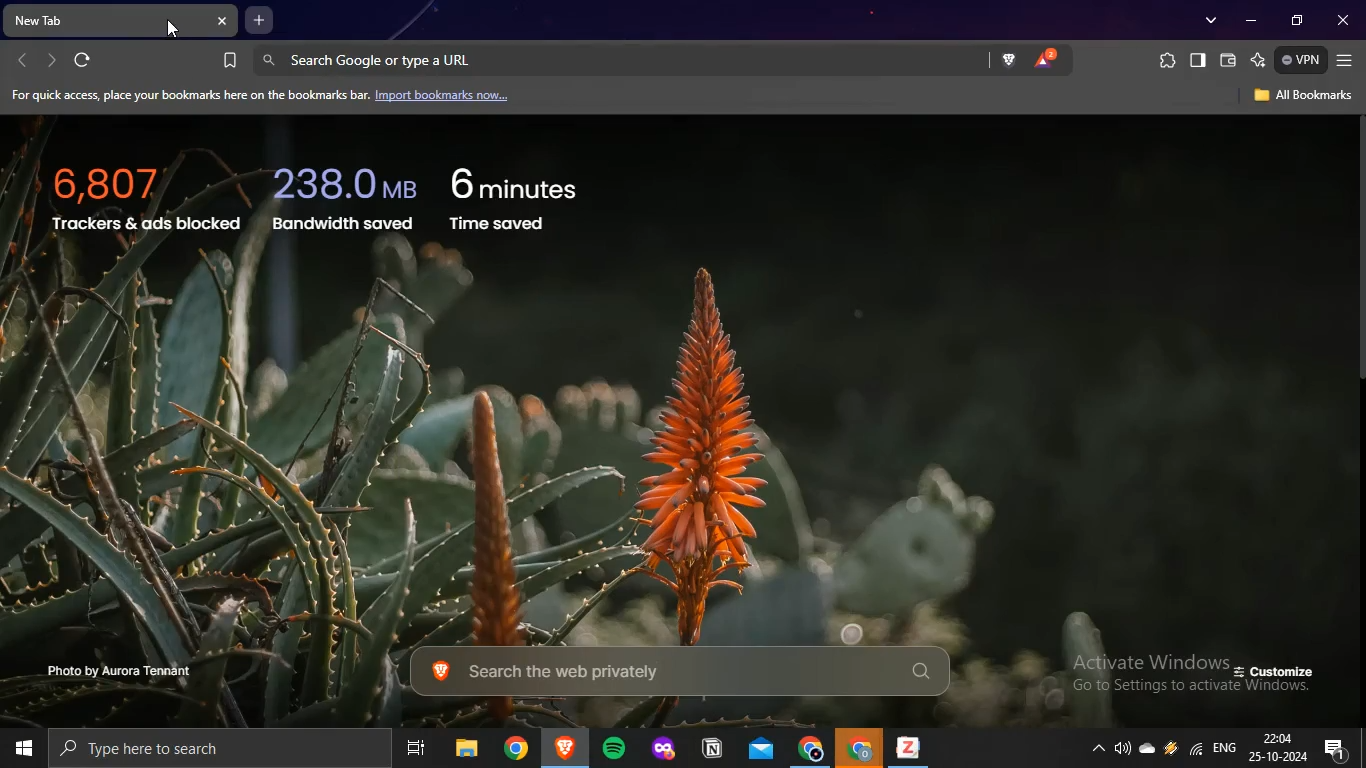 This screenshot has height=768, width=1366. I want to click on google chrome, so click(810, 749).